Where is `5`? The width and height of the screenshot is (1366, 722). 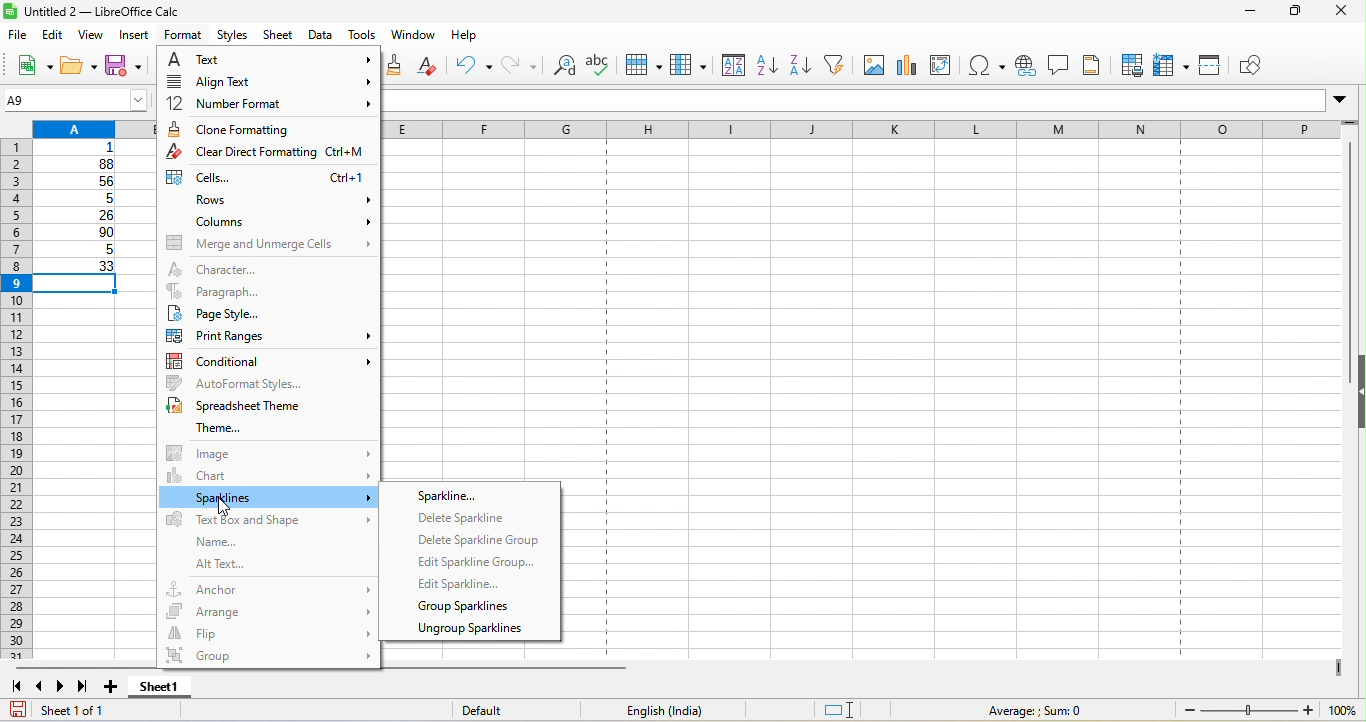 5 is located at coordinates (81, 199).